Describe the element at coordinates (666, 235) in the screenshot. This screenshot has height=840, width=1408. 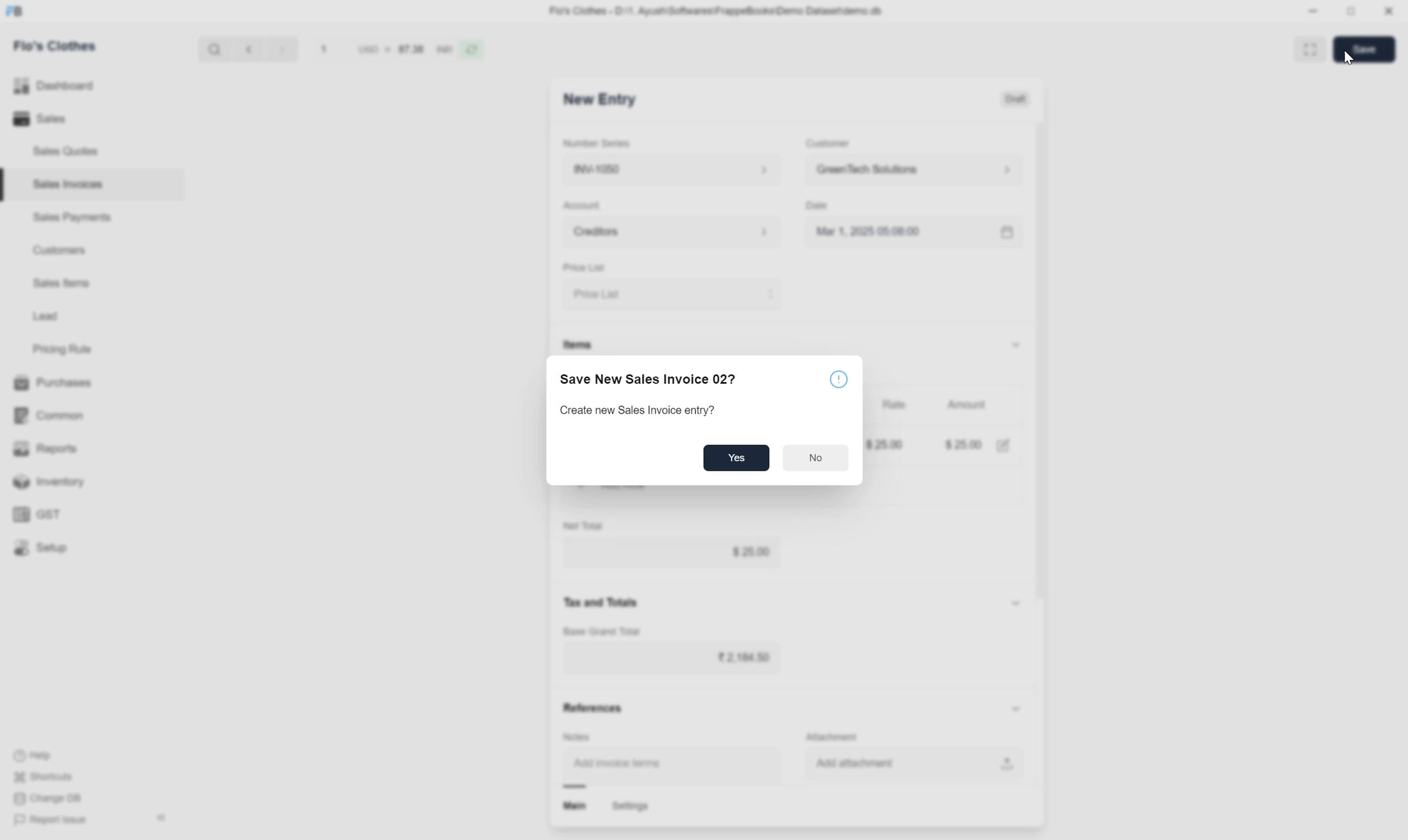
I see `Select Account` at that location.